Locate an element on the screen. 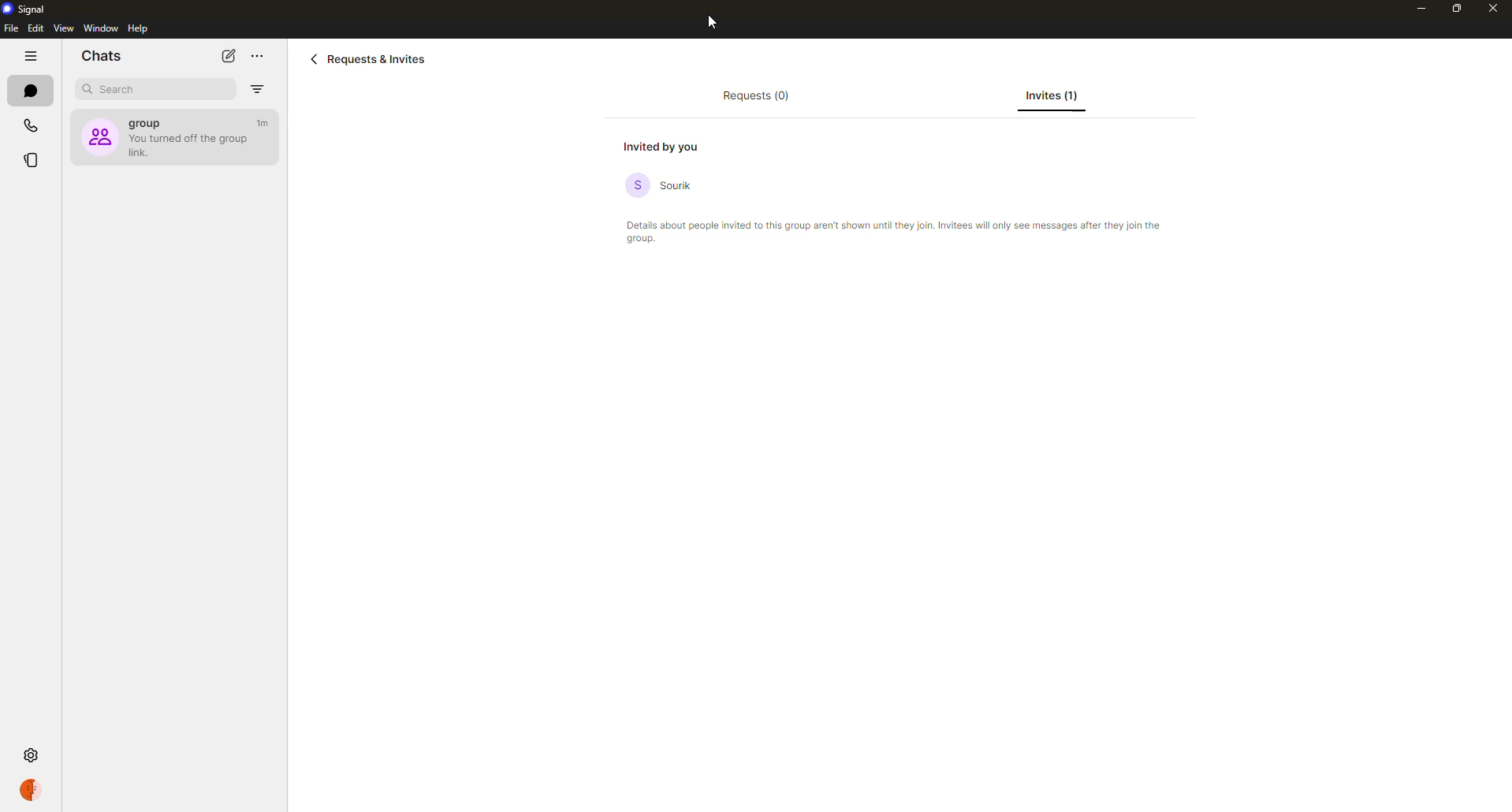 The width and height of the screenshot is (1512, 812). cursor is located at coordinates (709, 24).